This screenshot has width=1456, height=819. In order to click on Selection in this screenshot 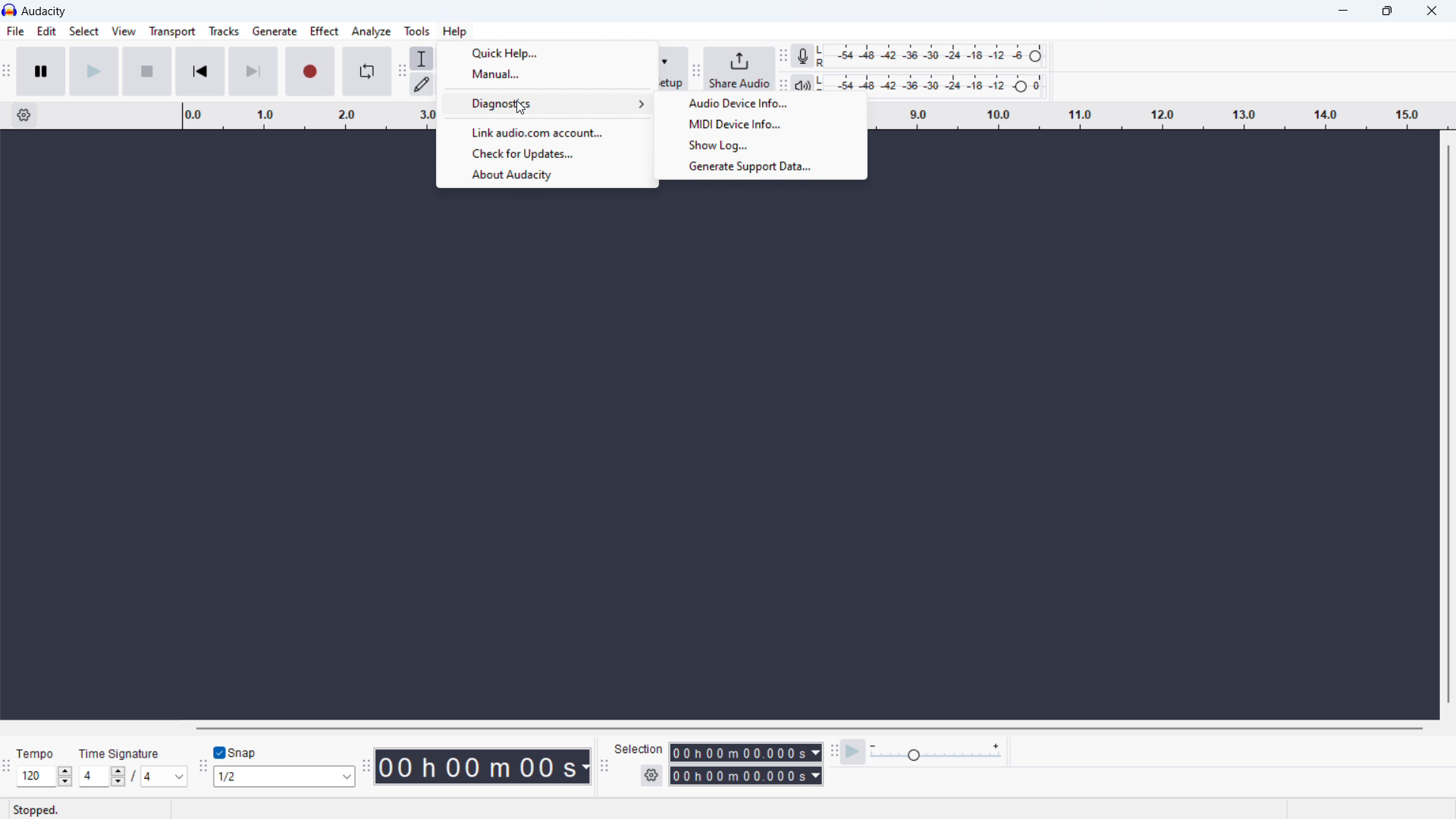, I will do `click(640, 749)`.